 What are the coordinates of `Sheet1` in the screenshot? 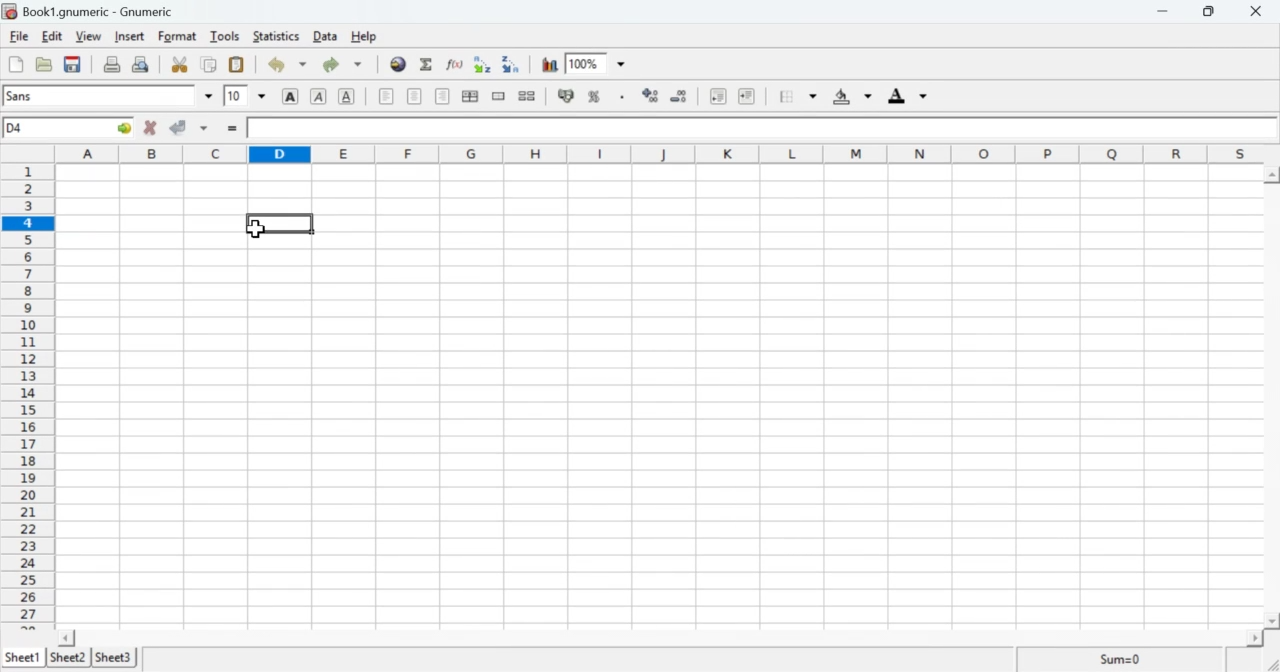 It's located at (23, 658).